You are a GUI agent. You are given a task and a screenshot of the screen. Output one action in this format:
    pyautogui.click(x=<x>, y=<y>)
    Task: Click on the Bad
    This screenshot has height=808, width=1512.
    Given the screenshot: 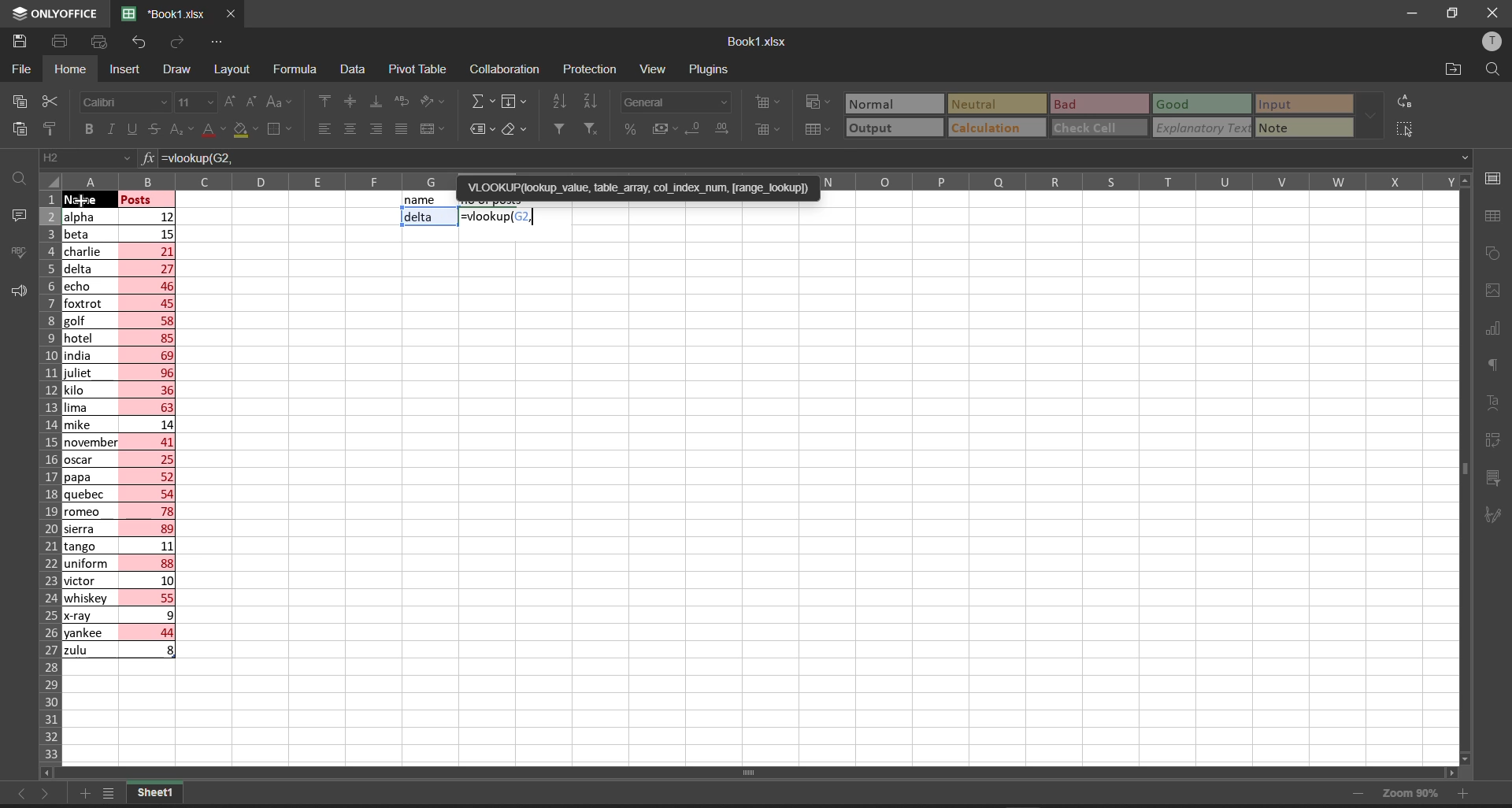 What is the action you would take?
    pyautogui.click(x=1070, y=104)
    